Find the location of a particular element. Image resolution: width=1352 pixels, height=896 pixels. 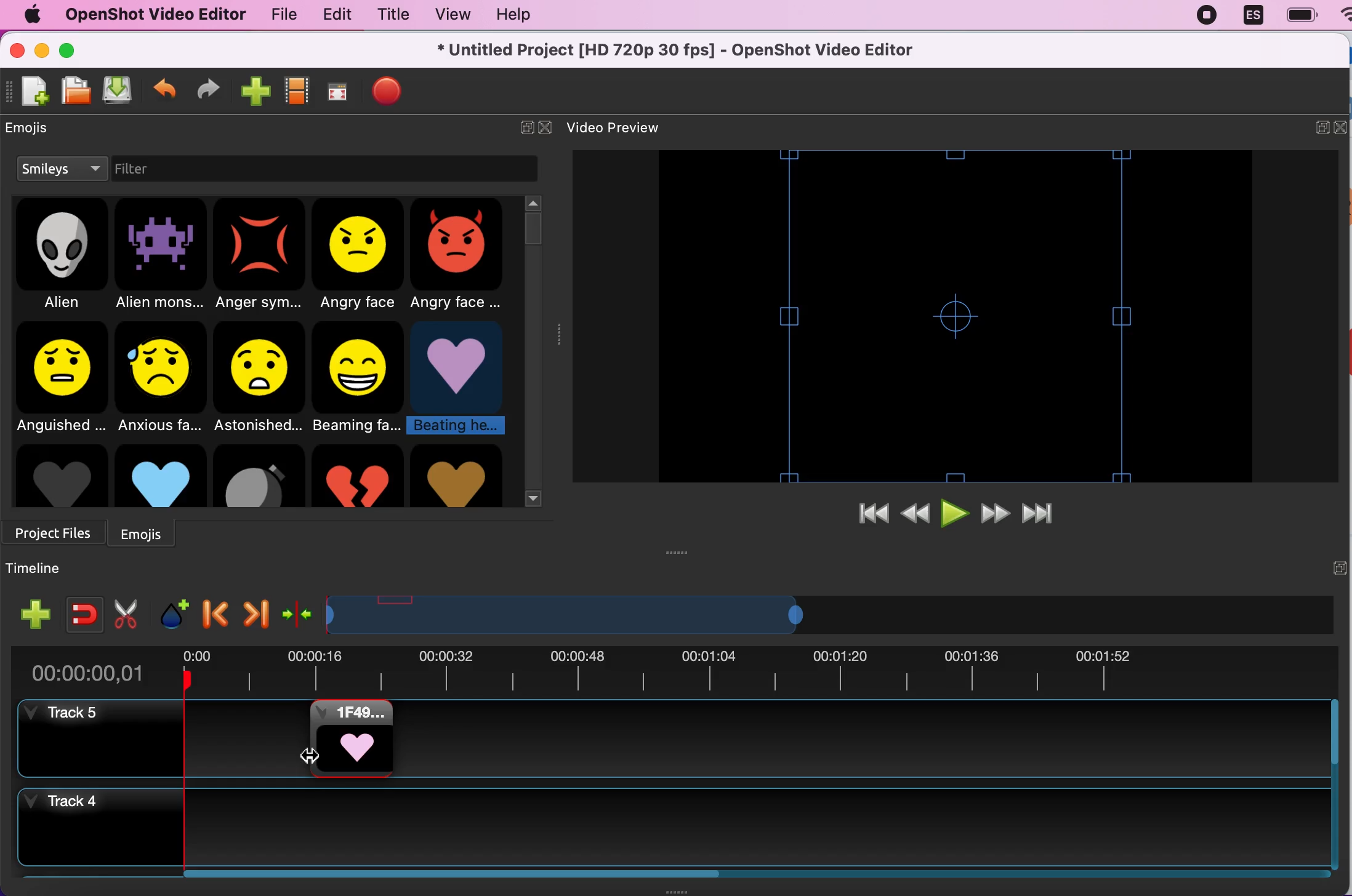

anxious is located at coordinates (164, 375).